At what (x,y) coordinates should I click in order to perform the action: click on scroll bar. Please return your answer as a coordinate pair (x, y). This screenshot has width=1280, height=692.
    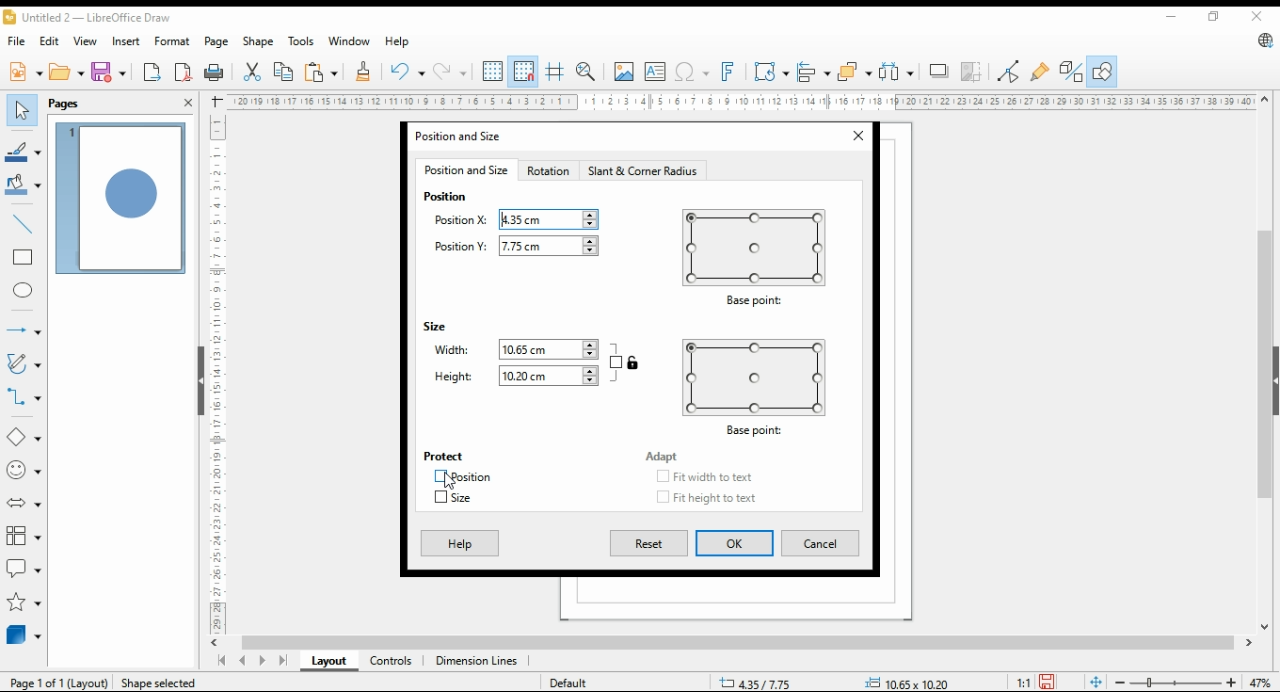
    Looking at the image, I should click on (727, 643).